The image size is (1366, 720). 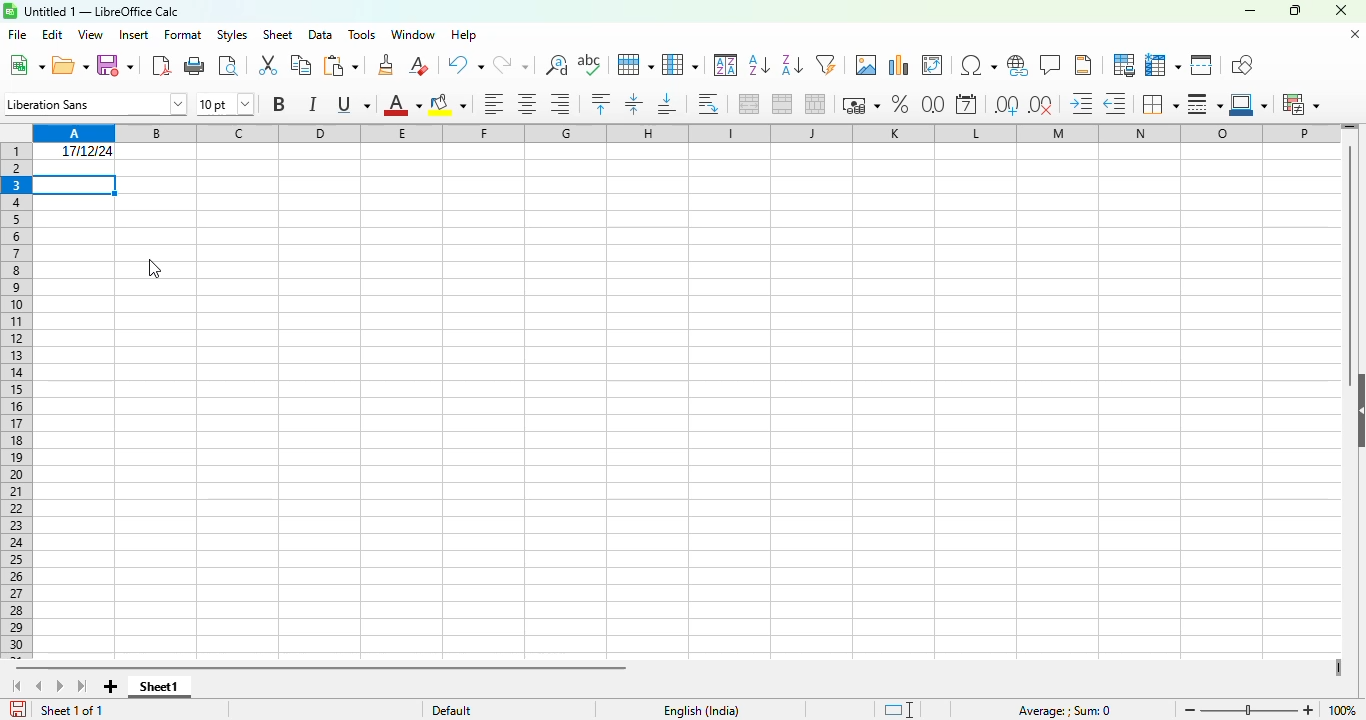 I want to click on define print area, so click(x=1123, y=64).